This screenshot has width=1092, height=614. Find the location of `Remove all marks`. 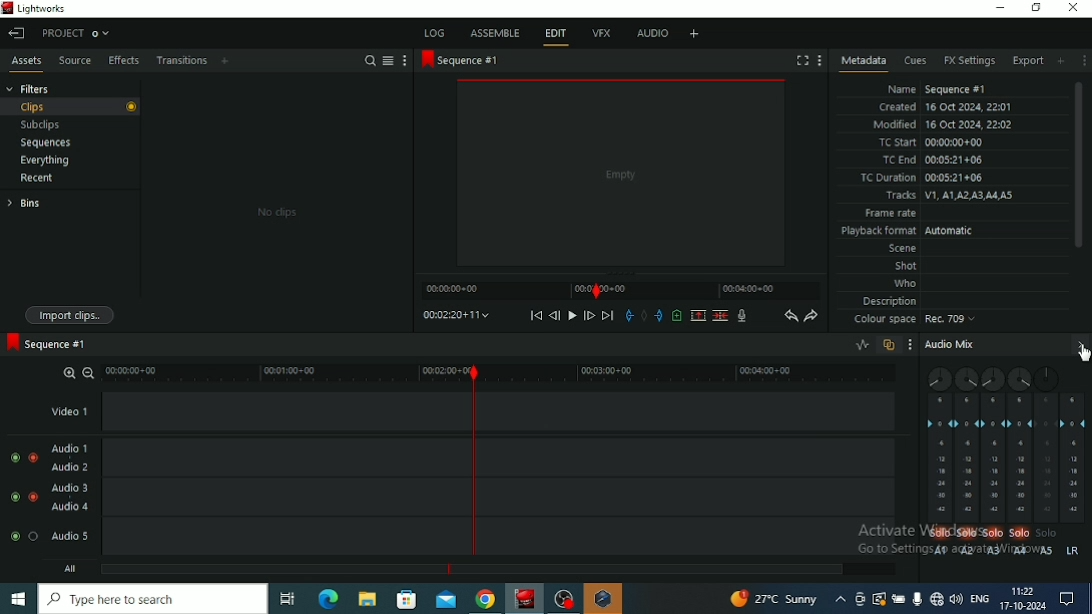

Remove all marks is located at coordinates (643, 315).